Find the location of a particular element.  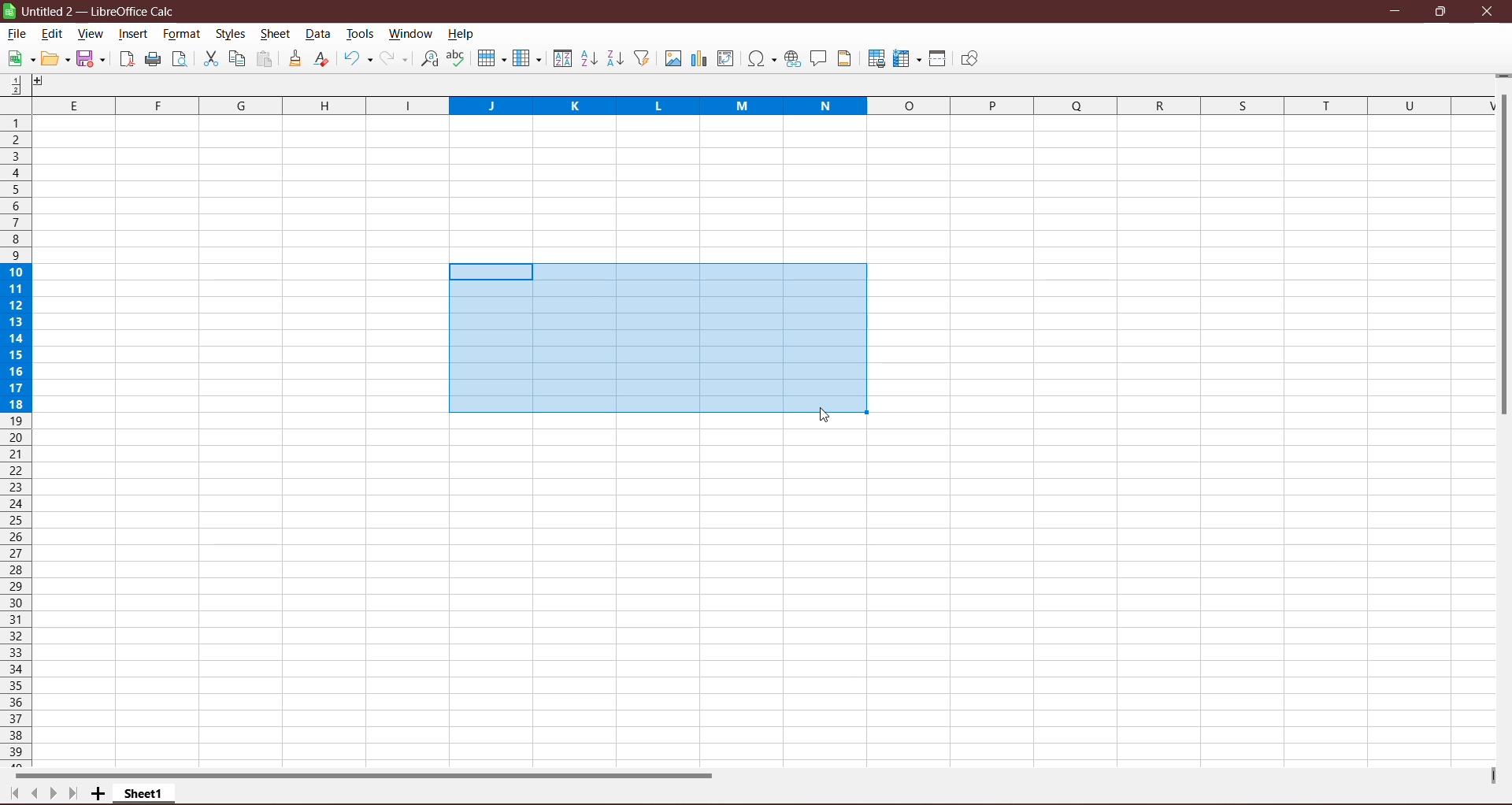

Insert Hyperlink is located at coordinates (792, 59).